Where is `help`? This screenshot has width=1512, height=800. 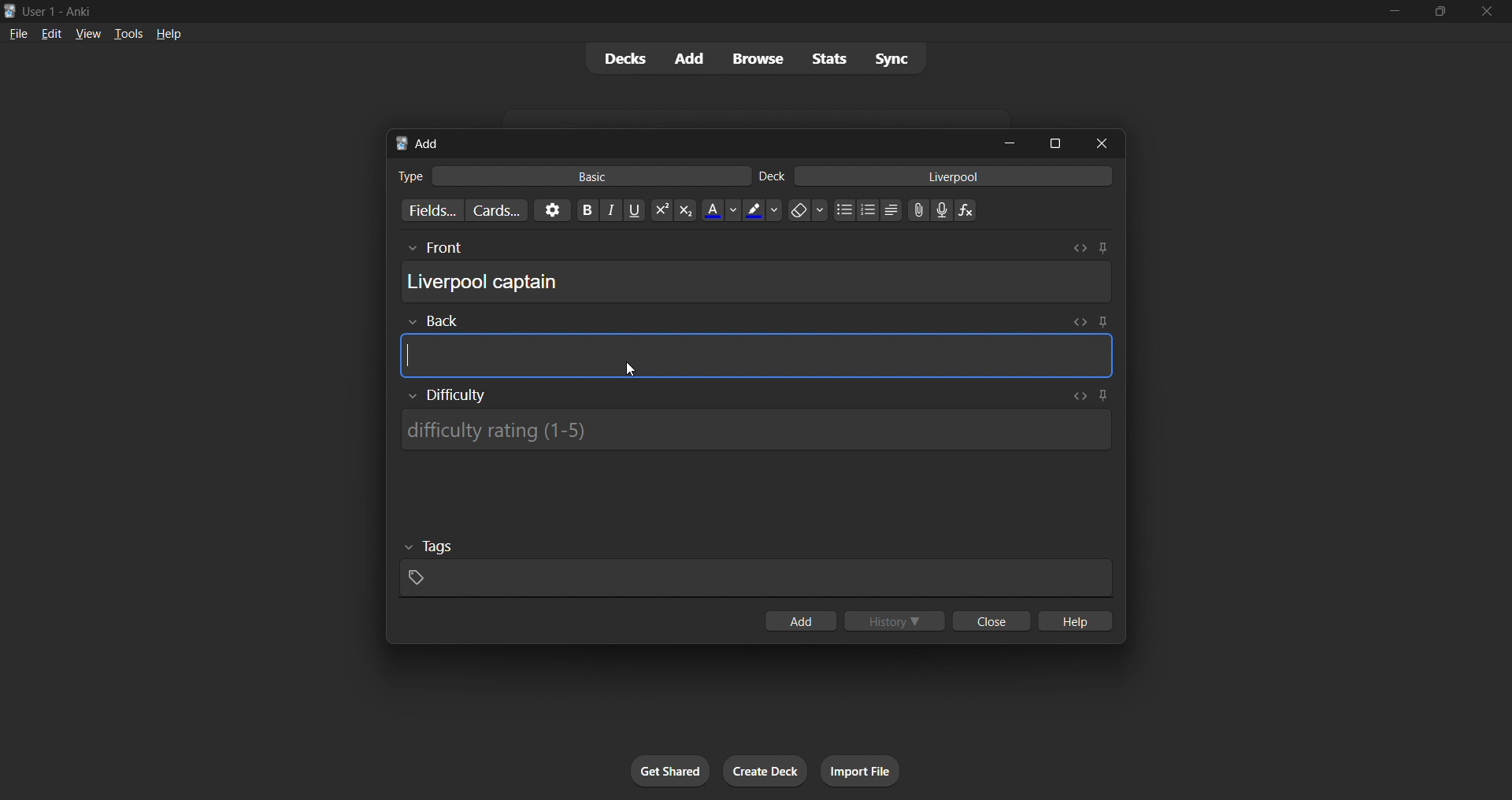 help is located at coordinates (1073, 620).